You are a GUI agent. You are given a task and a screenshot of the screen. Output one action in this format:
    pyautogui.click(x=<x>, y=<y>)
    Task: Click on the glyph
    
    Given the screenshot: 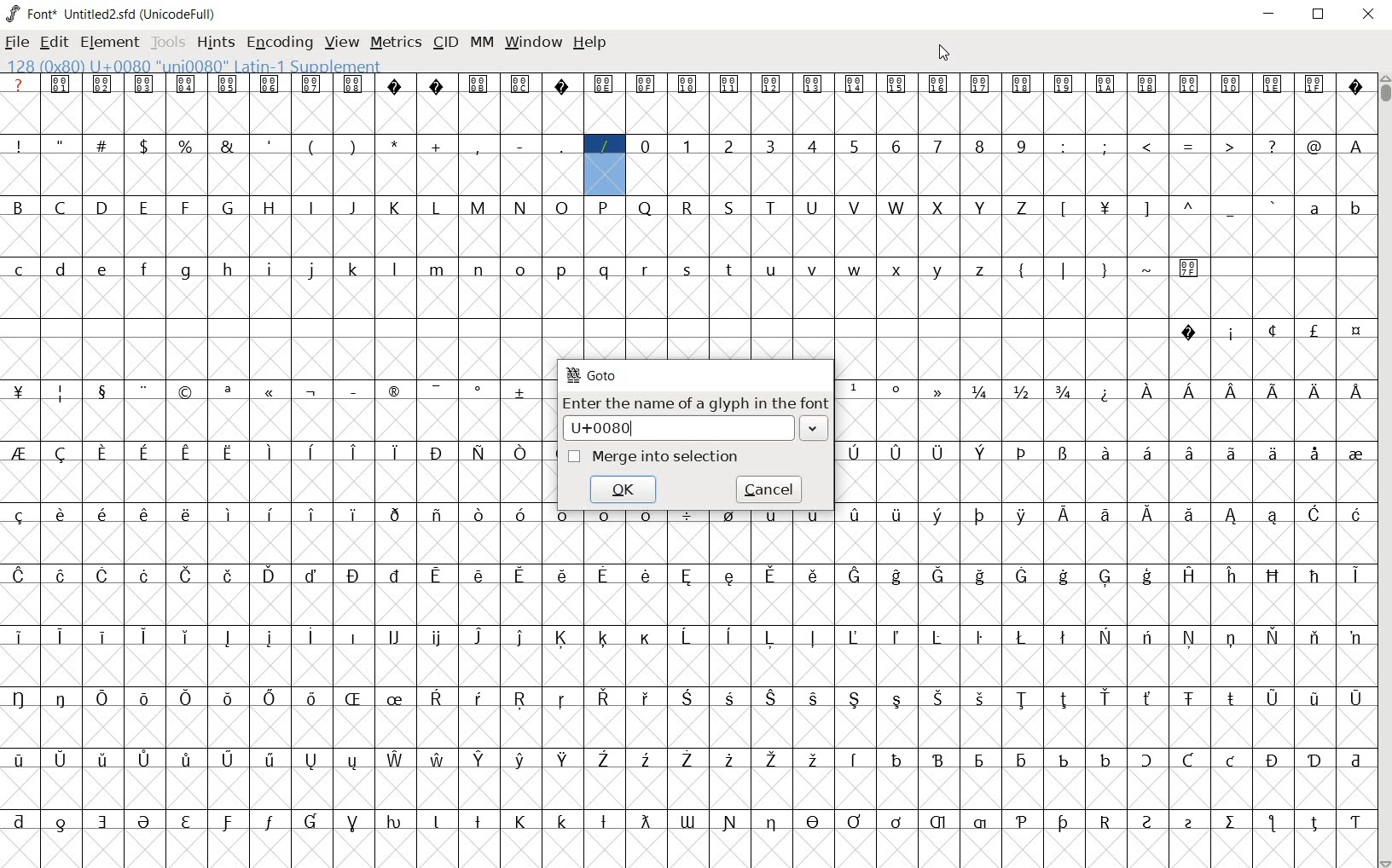 What is the action you would take?
    pyautogui.click(x=1147, y=146)
    